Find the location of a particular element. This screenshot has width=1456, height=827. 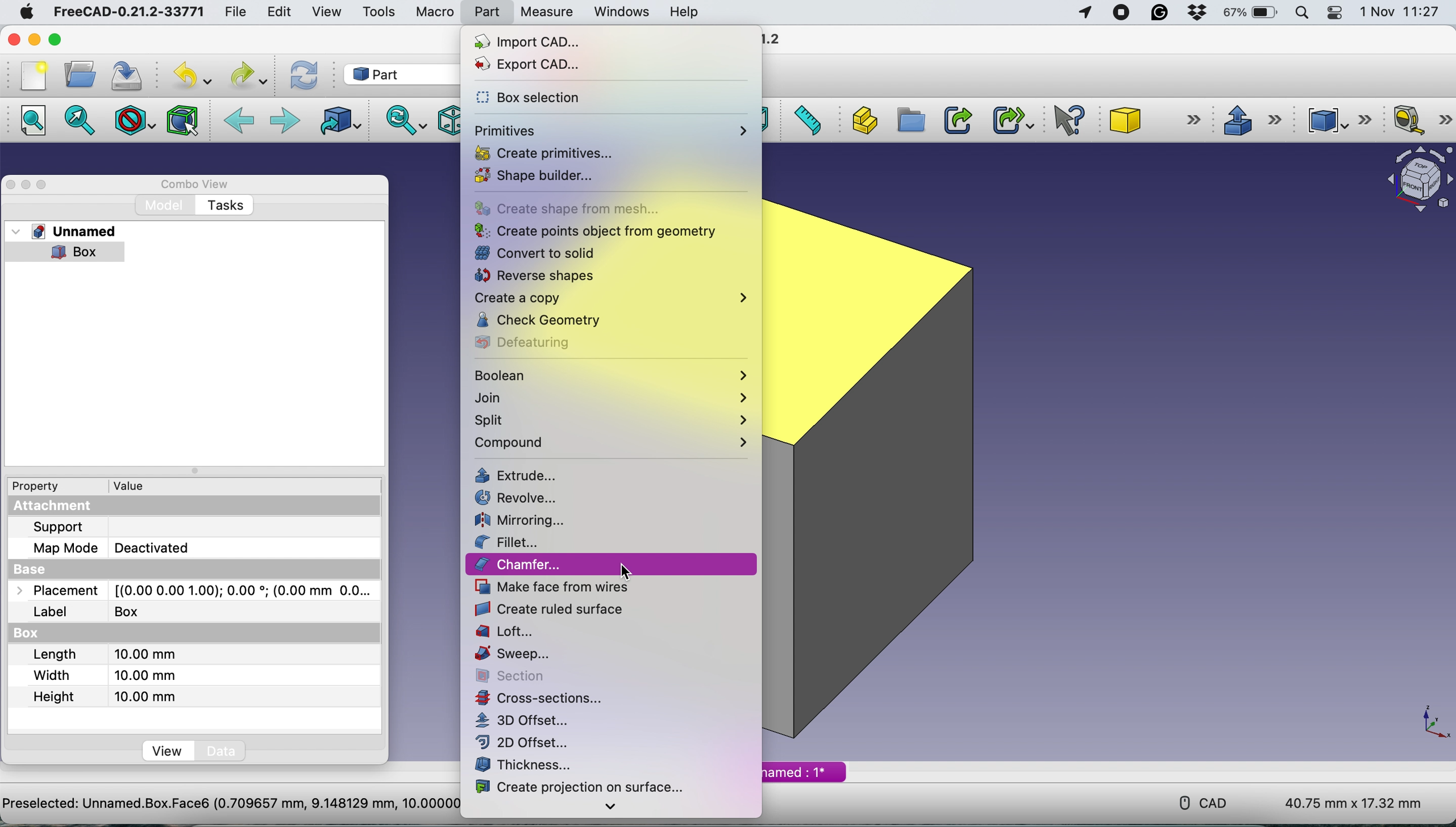

label is located at coordinates (82, 610).